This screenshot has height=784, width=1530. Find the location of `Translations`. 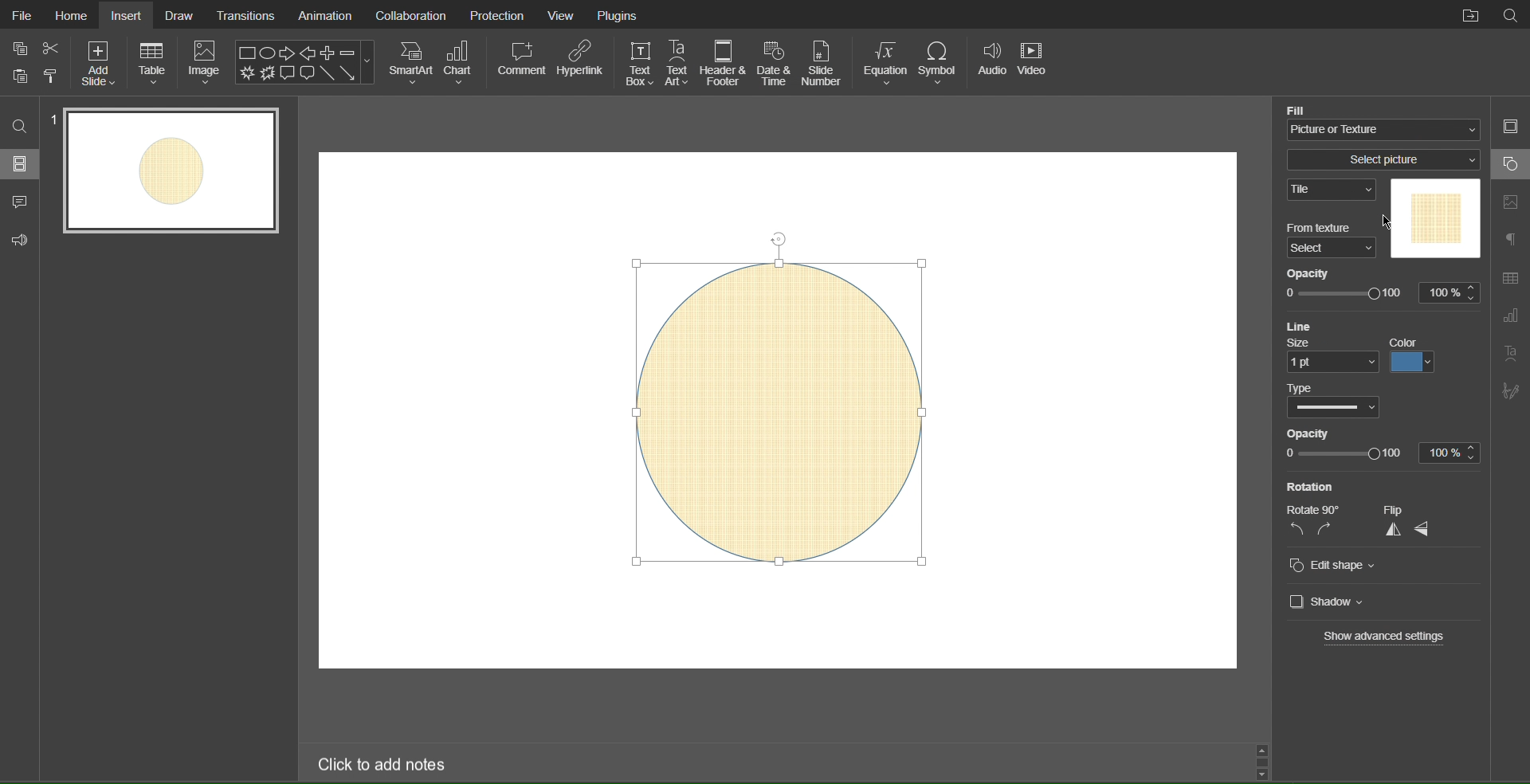

Translations is located at coordinates (246, 14).